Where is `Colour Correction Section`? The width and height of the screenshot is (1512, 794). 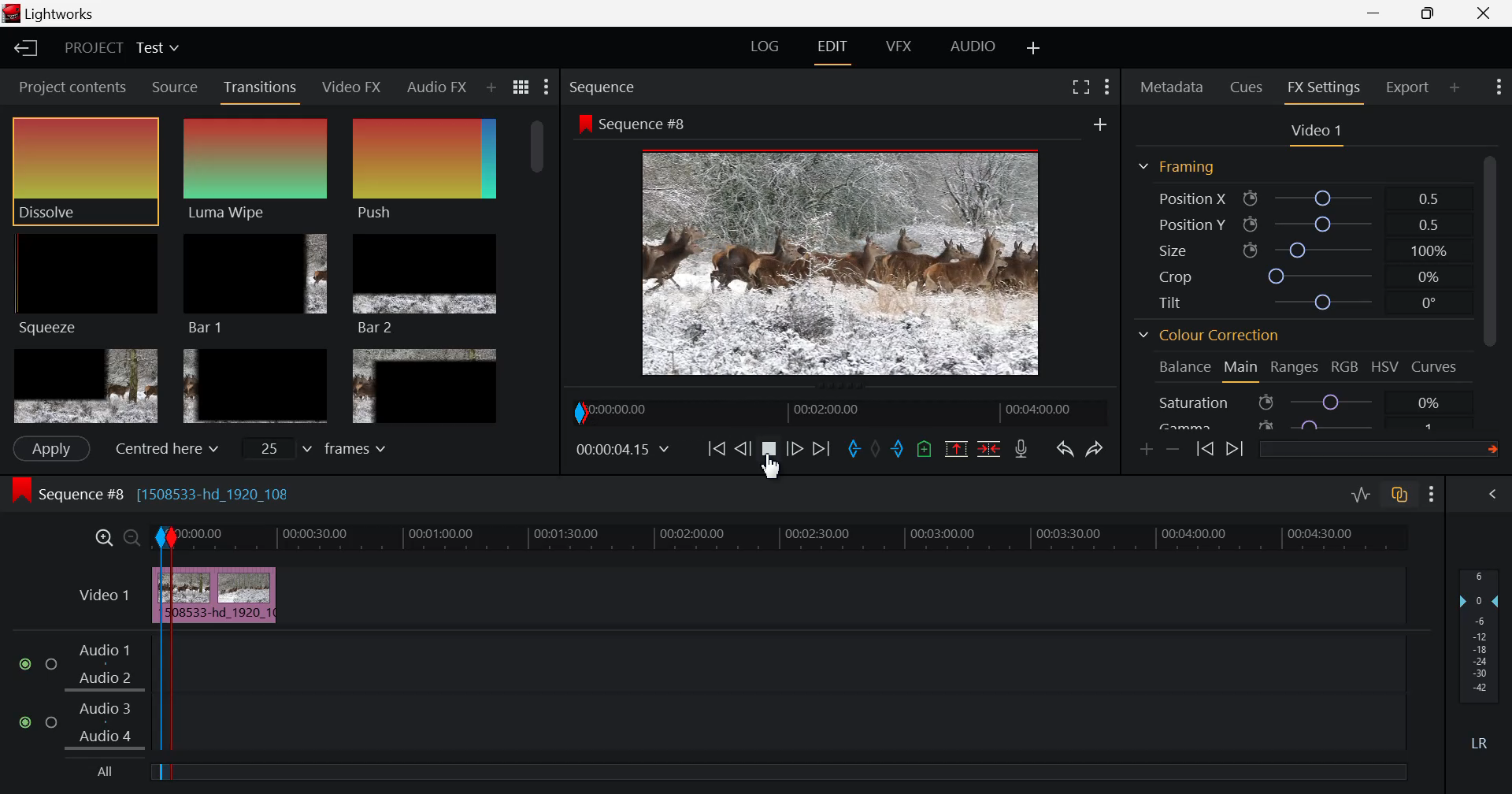
Colour Correction Section is located at coordinates (1210, 337).